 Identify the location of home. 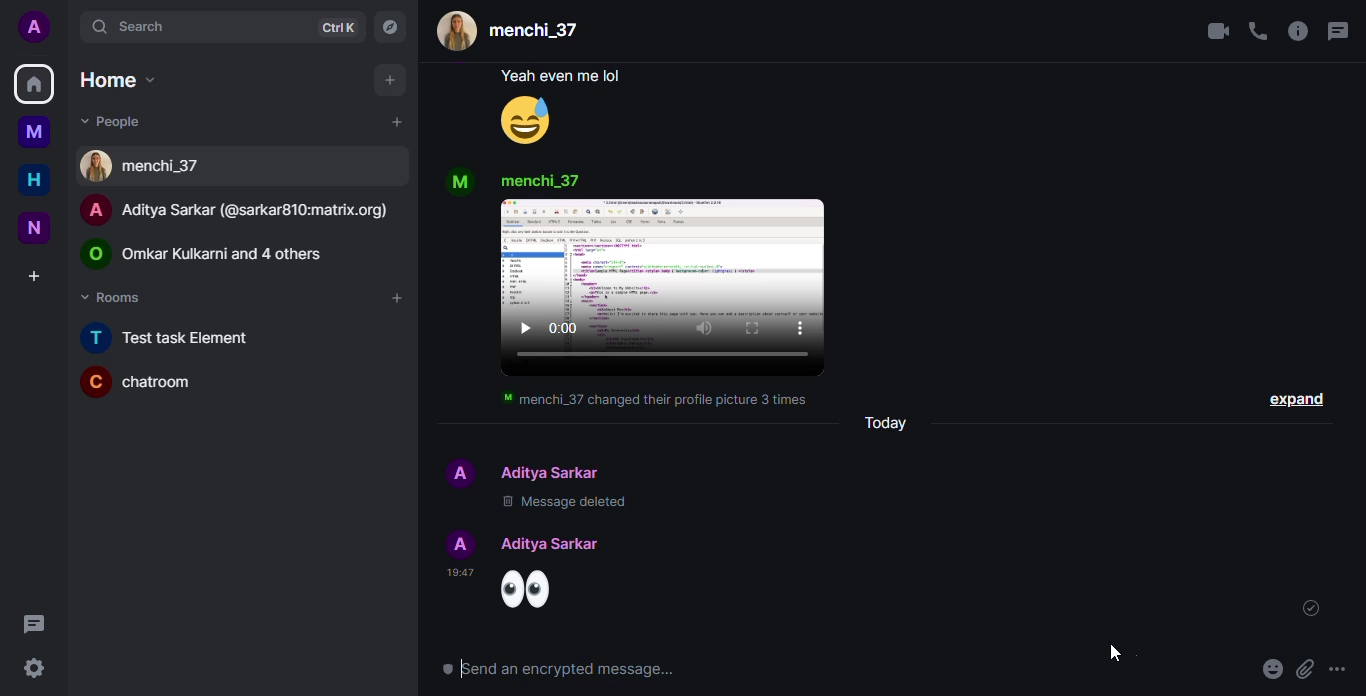
(35, 85).